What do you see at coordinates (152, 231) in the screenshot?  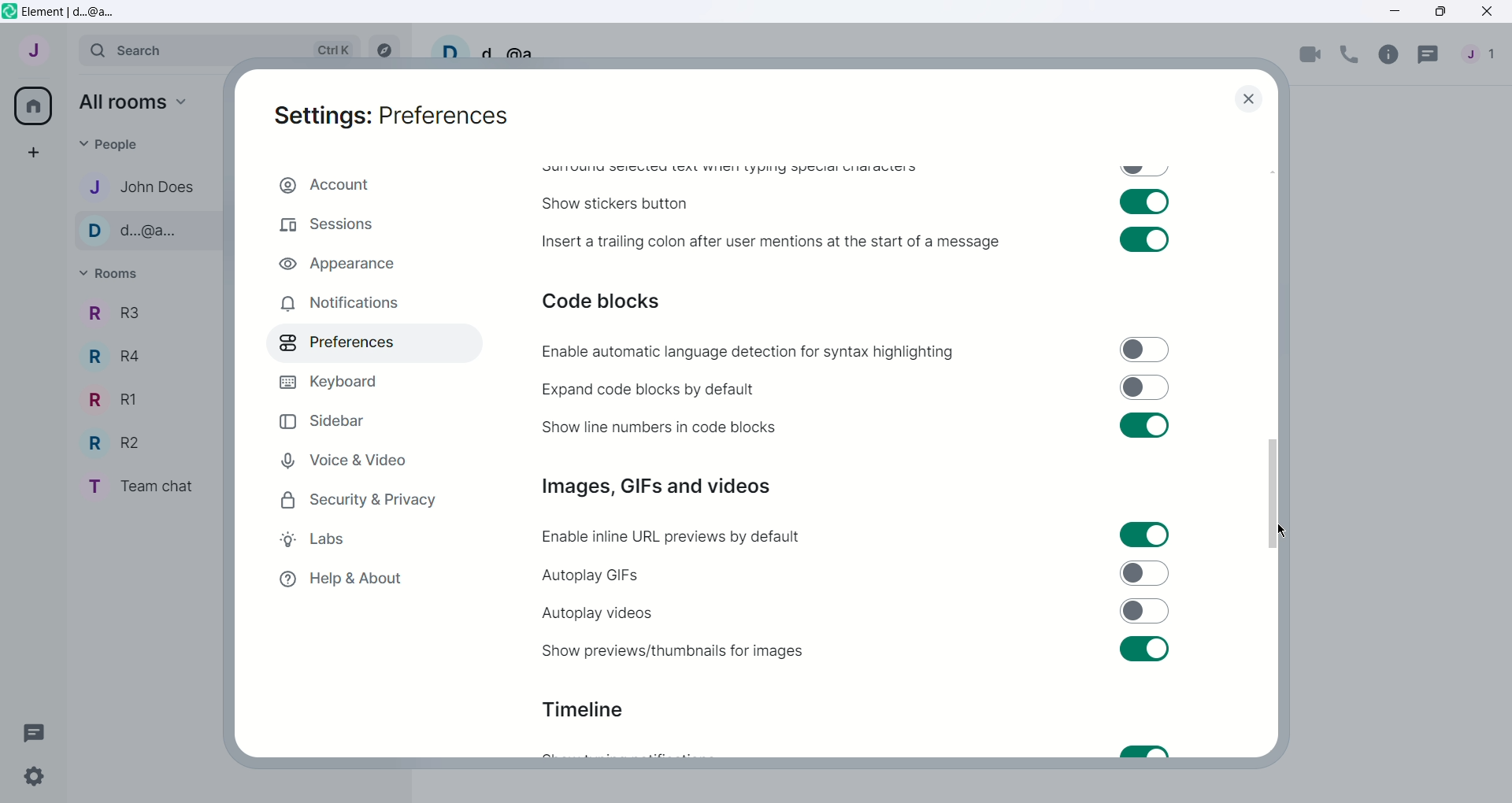 I see `d...@a... - Contact name` at bounding box center [152, 231].